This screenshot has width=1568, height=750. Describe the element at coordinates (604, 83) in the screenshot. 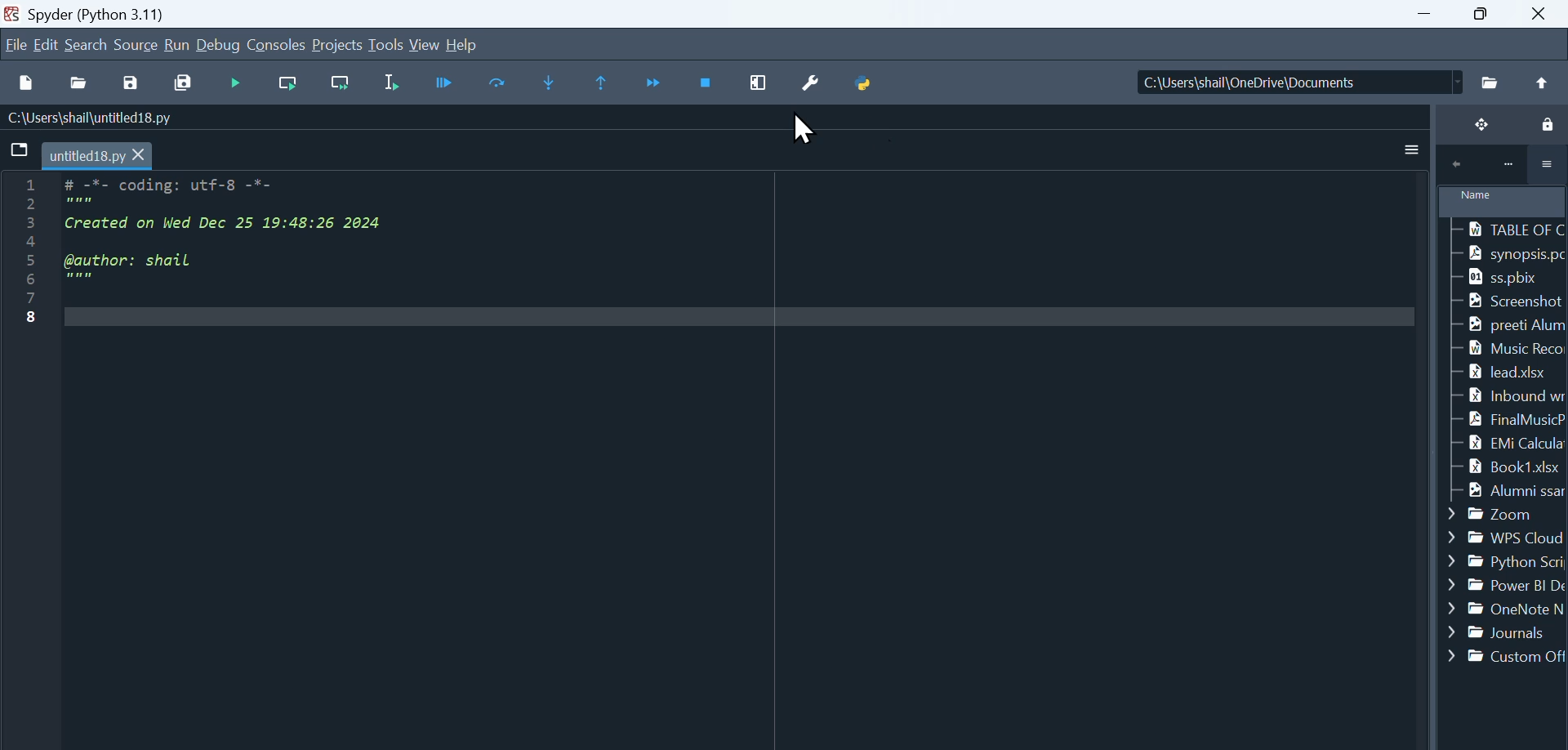

I see `Execute until same function returns` at that location.